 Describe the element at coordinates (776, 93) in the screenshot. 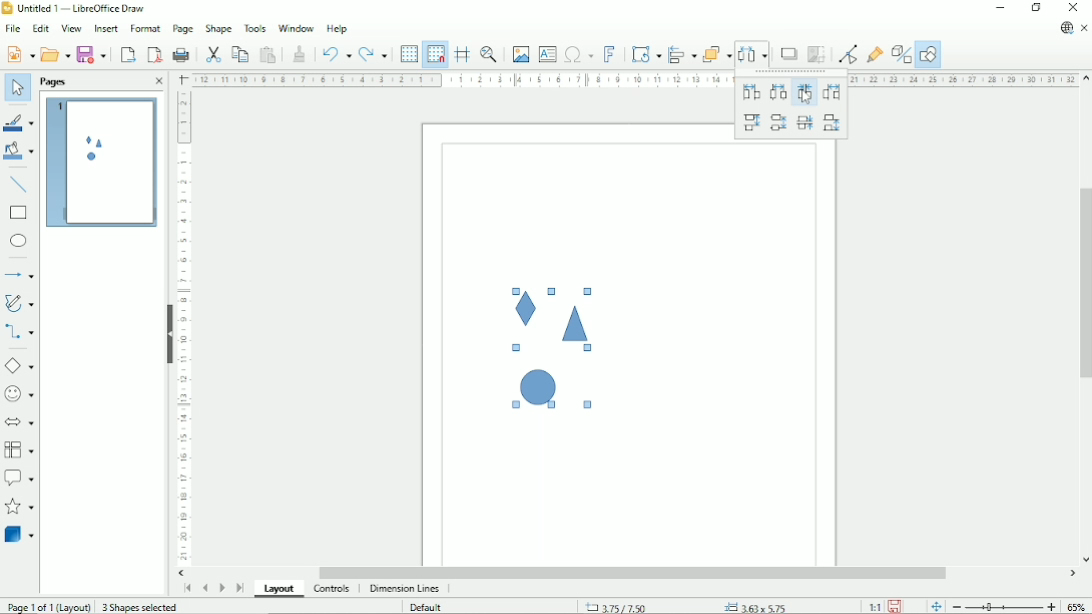

I see `Horizontally center` at that location.